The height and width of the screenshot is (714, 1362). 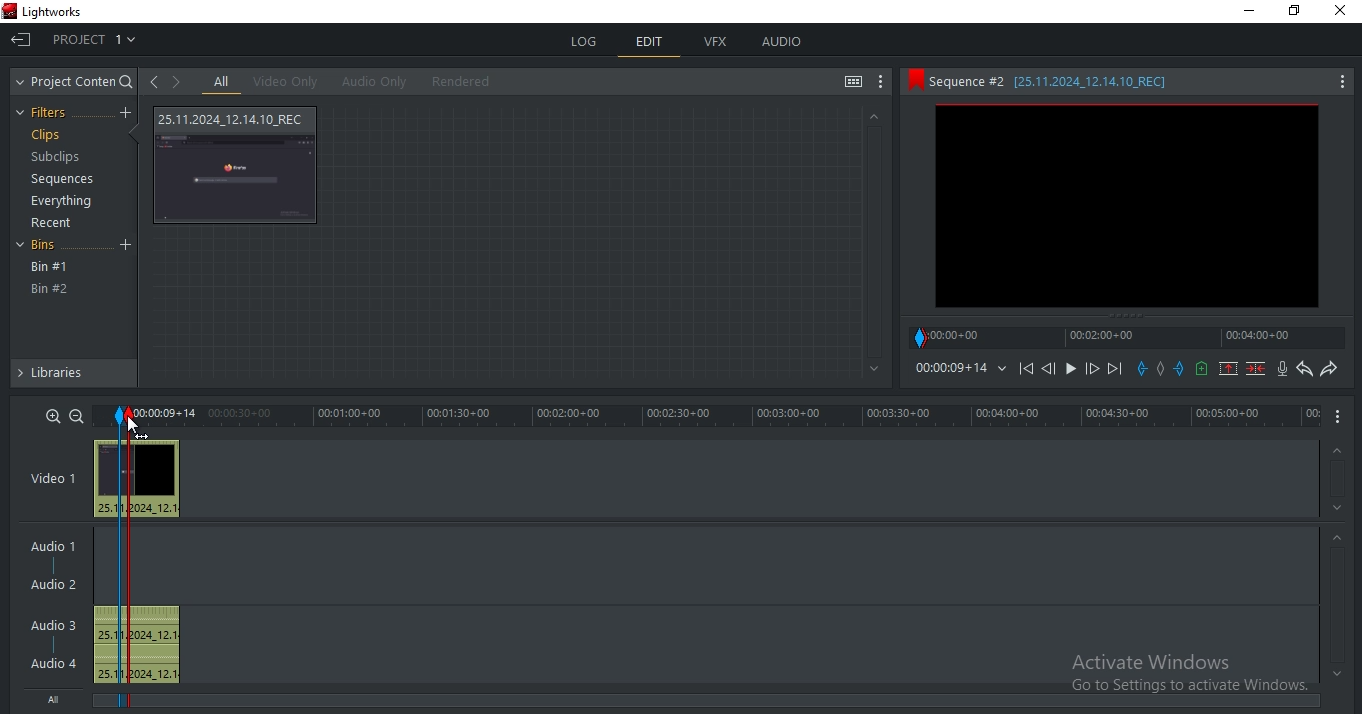 What do you see at coordinates (57, 543) in the screenshot?
I see `Audio 1` at bounding box center [57, 543].